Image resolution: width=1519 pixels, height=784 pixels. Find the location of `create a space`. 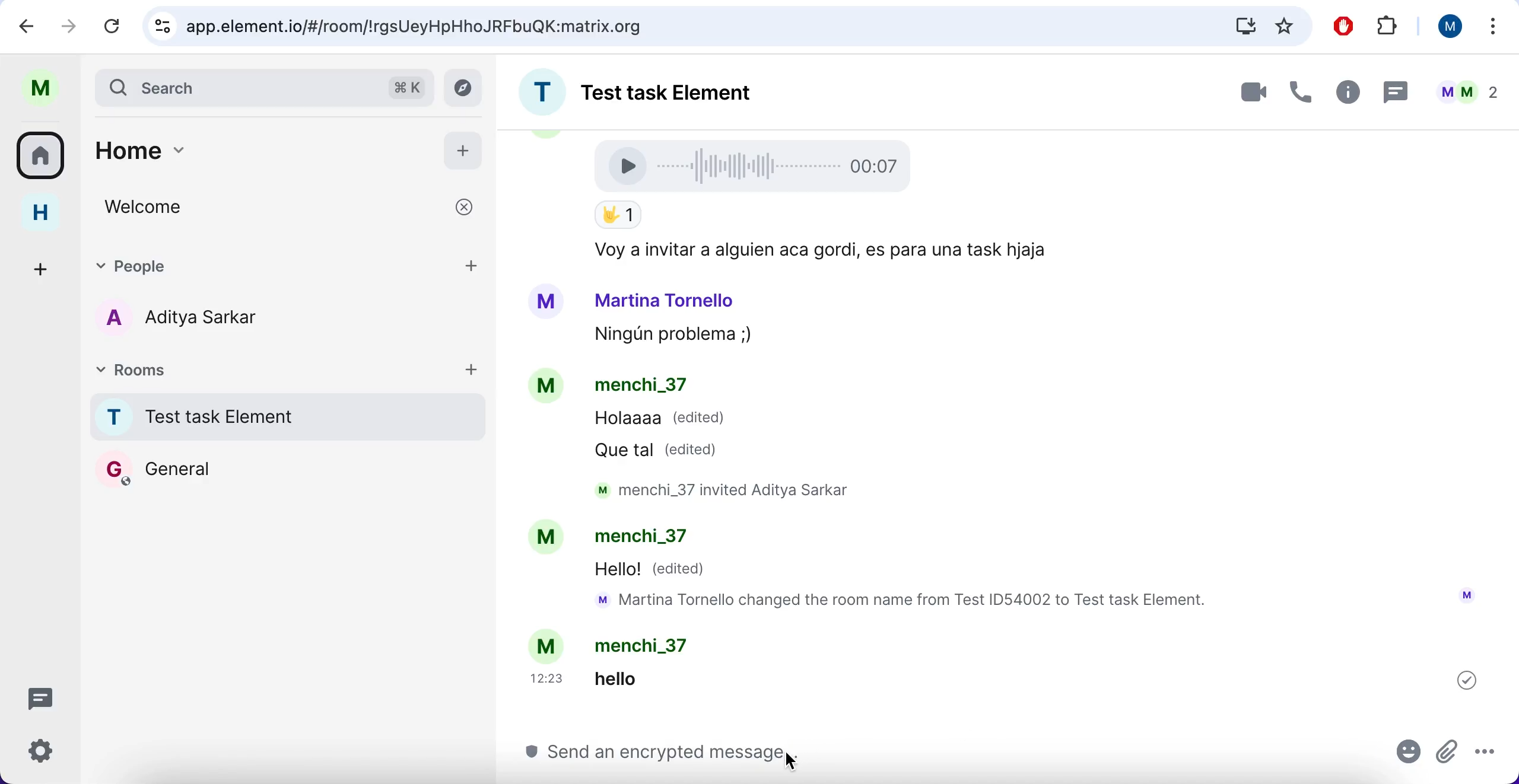

create a space is located at coordinates (45, 267).